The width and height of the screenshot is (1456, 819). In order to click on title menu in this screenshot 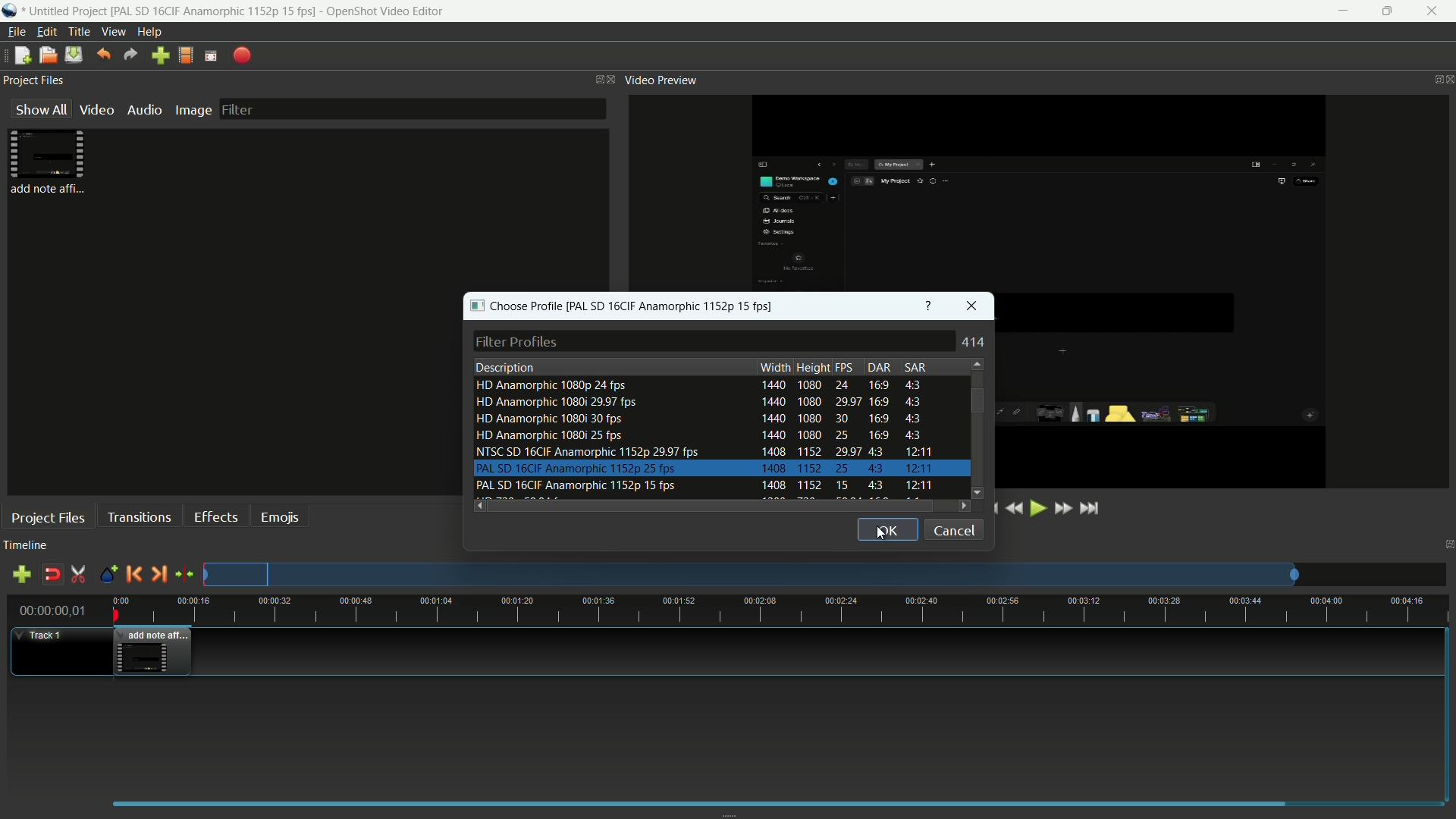, I will do `click(76, 31)`.